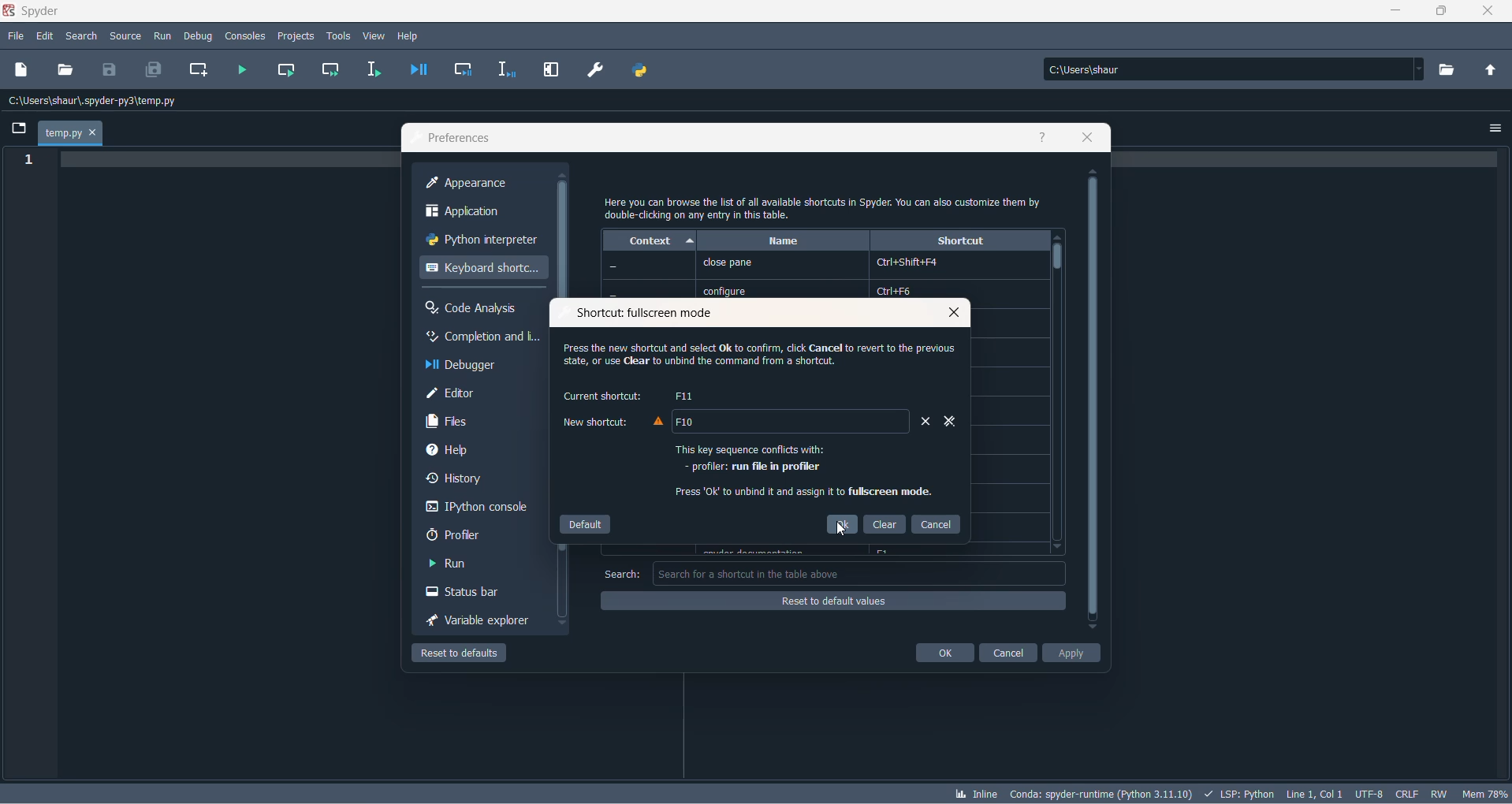  Describe the element at coordinates (198, 34) in the screenshot. I see `debug` at that location.